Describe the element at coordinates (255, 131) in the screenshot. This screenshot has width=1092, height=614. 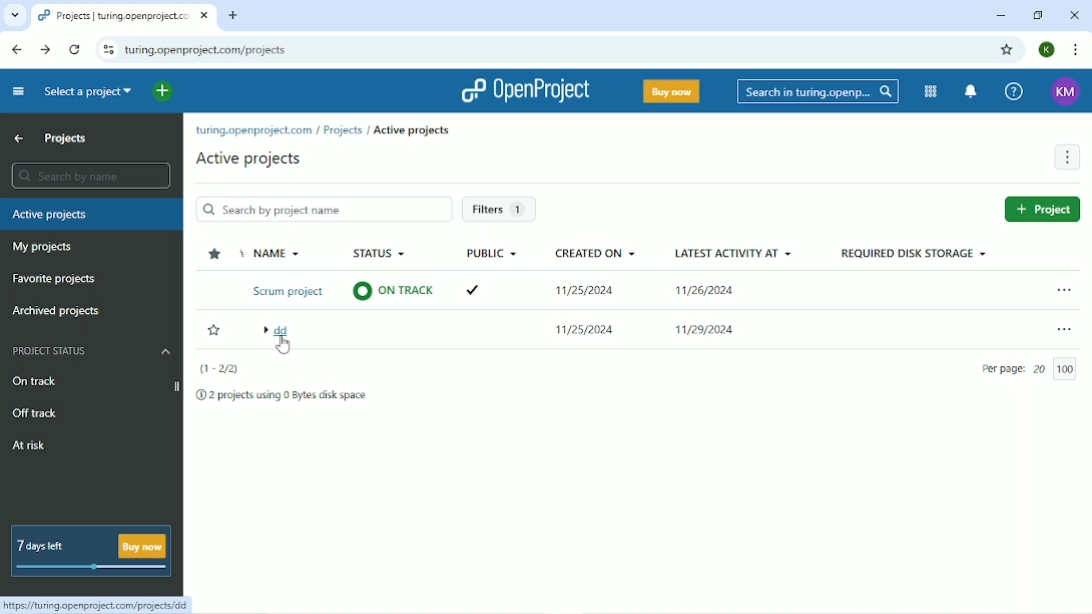
I see `turing.openproject.com` at that location.